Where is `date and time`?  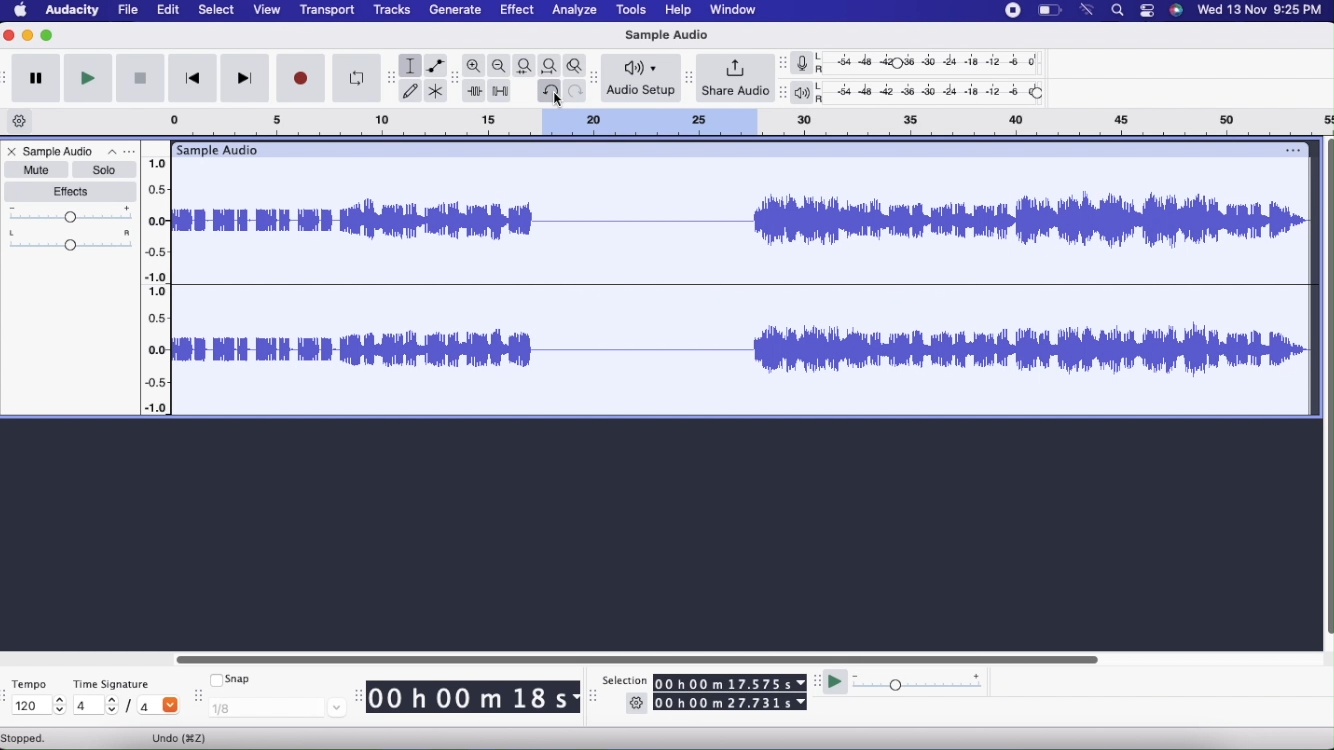
date and time is located at coordinates (1259, 10).